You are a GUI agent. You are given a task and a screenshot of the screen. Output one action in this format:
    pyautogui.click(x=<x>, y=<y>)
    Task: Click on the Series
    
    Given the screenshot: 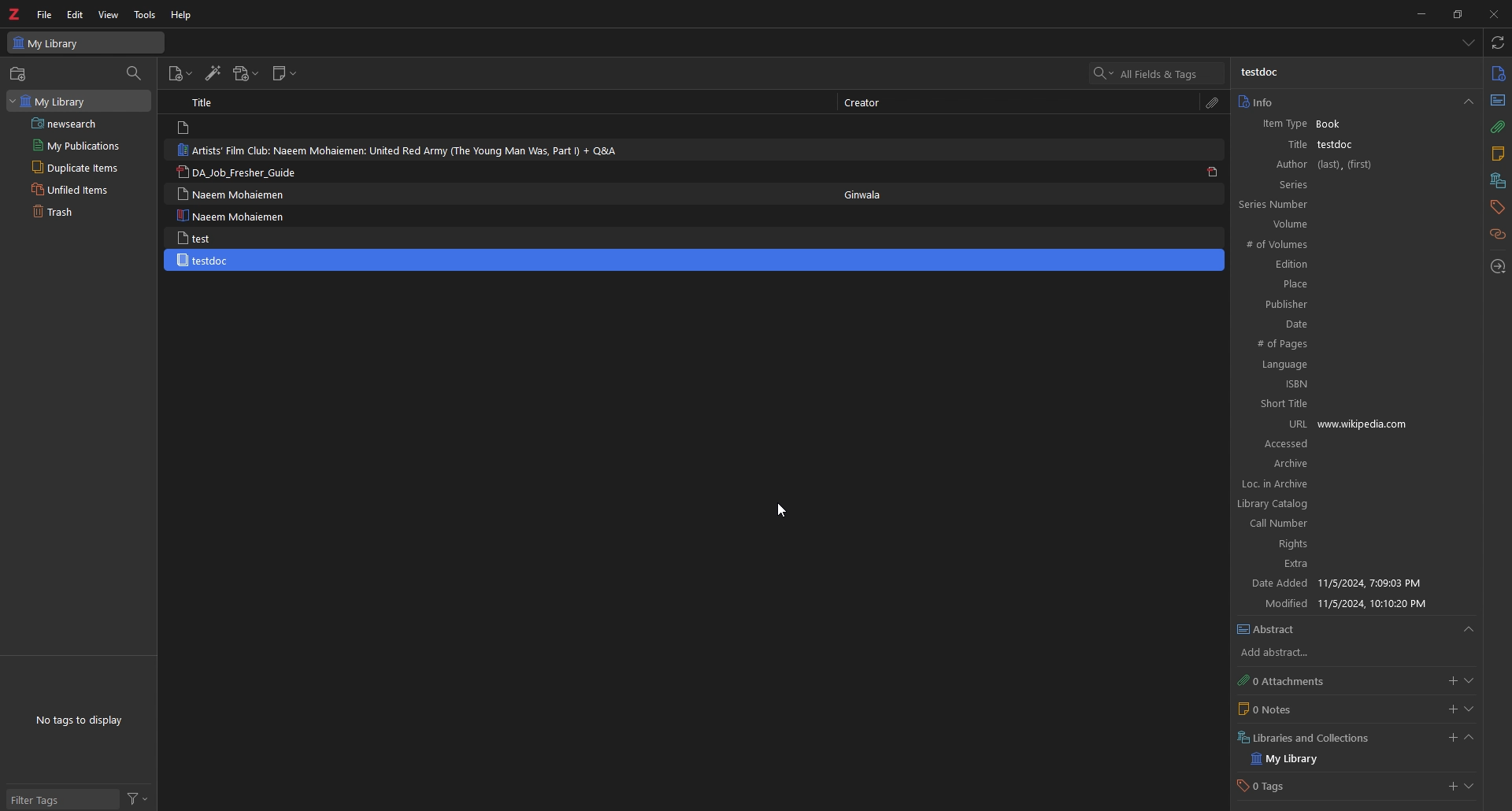 What is the action you would take?
    pyautogui.click(x=1325, y=184)
    